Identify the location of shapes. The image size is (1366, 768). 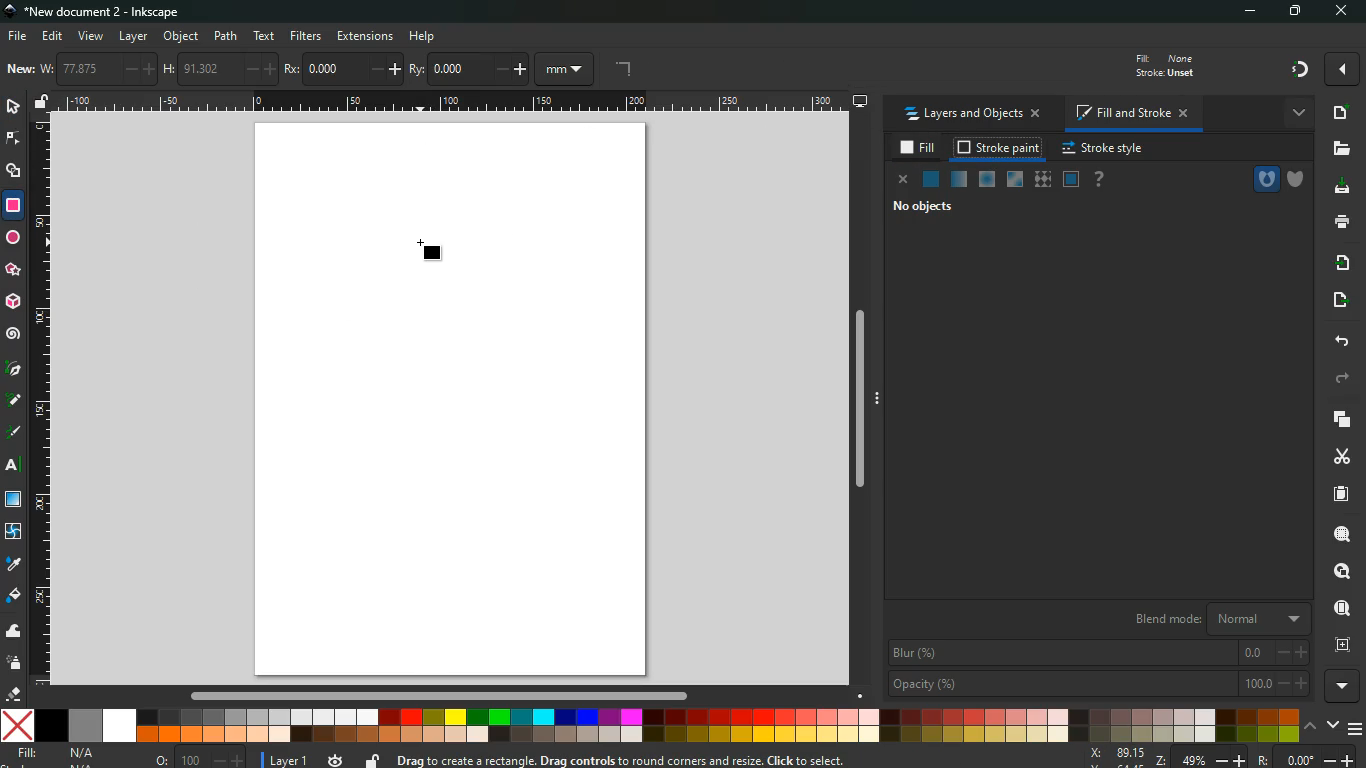
(15, 174).